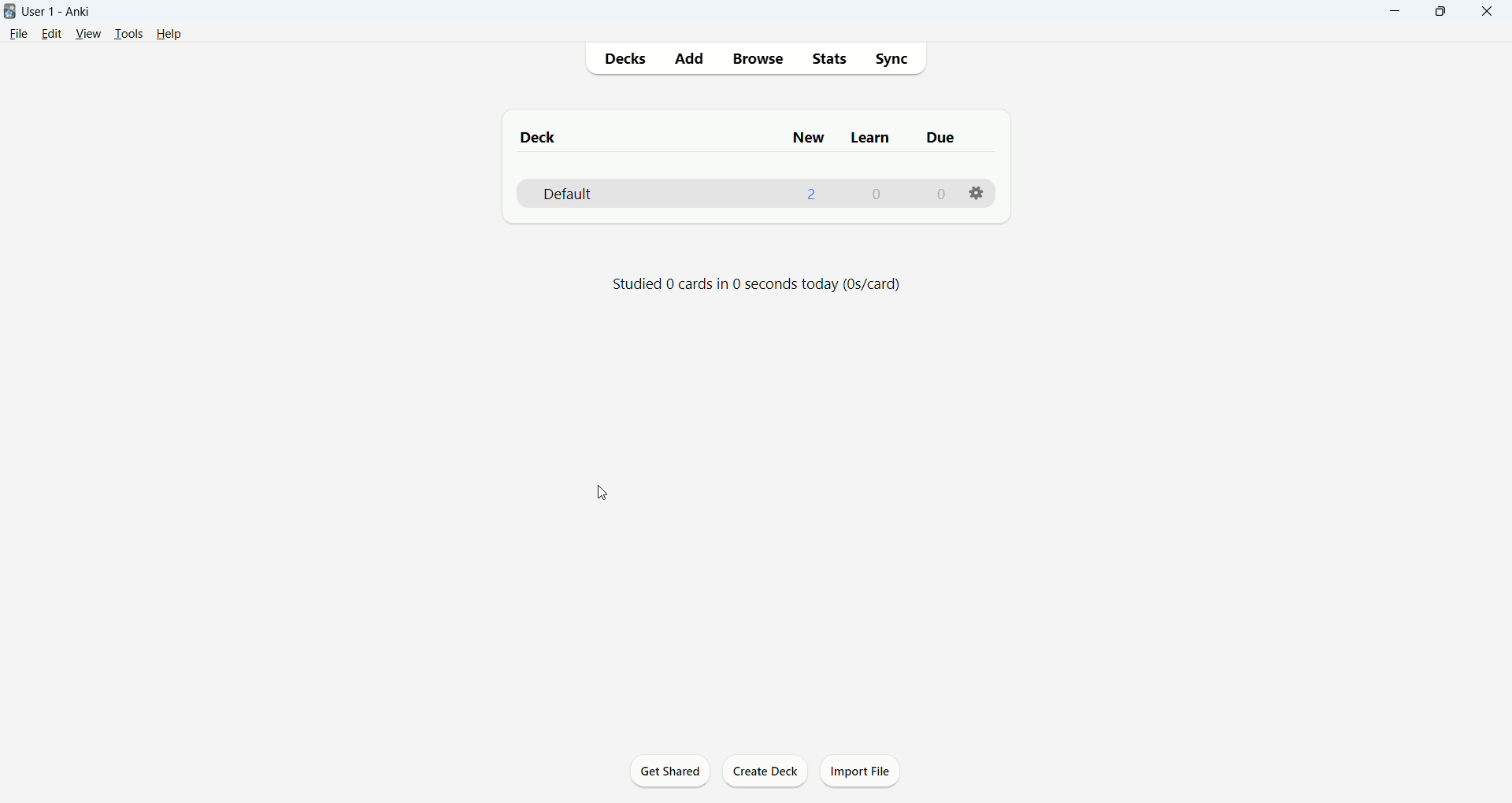  What do you see at coordinates (939, 194) in the screenshot?
I see `0` at bounding box center [939, 194].